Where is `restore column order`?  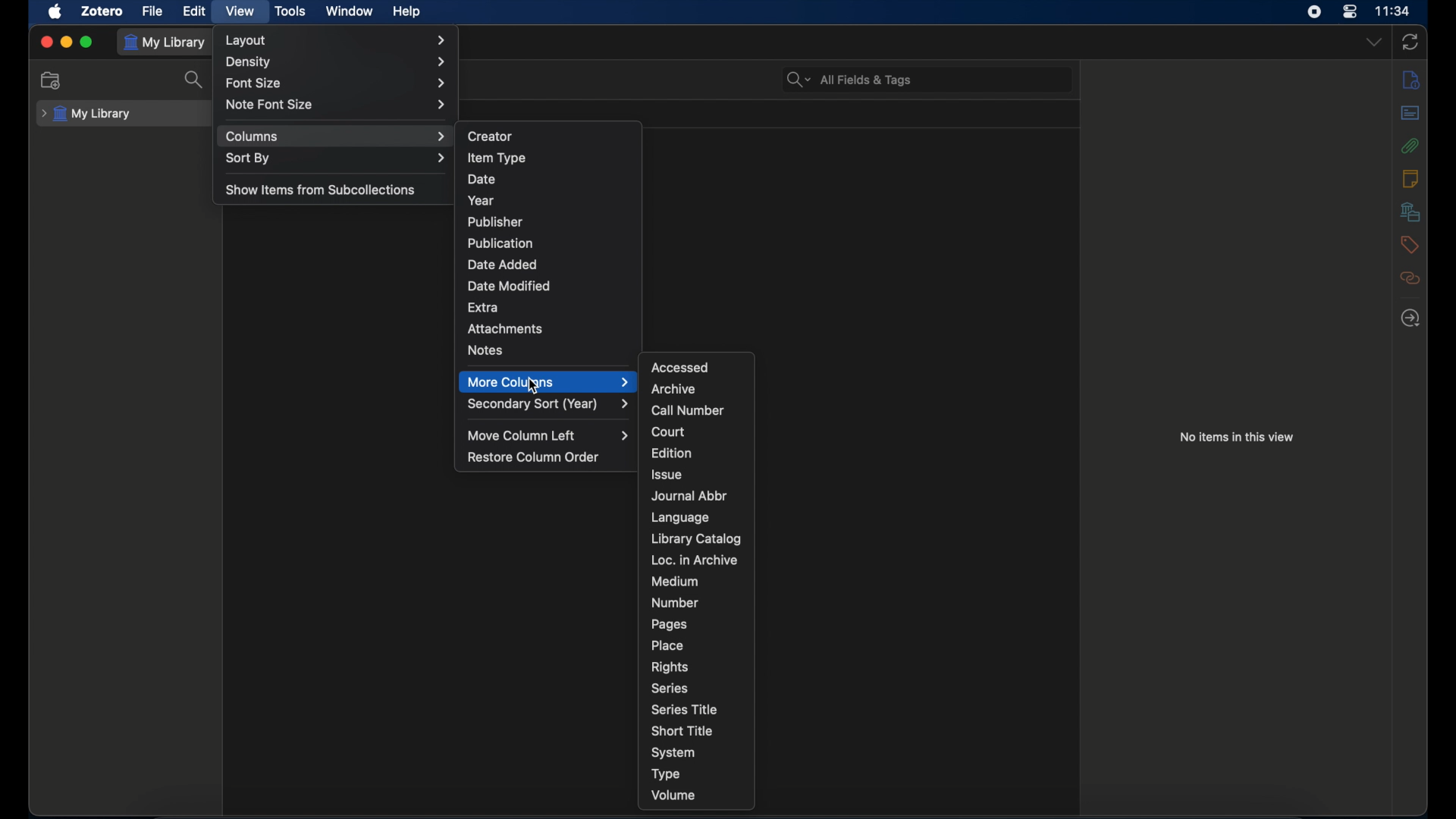
restore column order is located at coordinates (533, 457).